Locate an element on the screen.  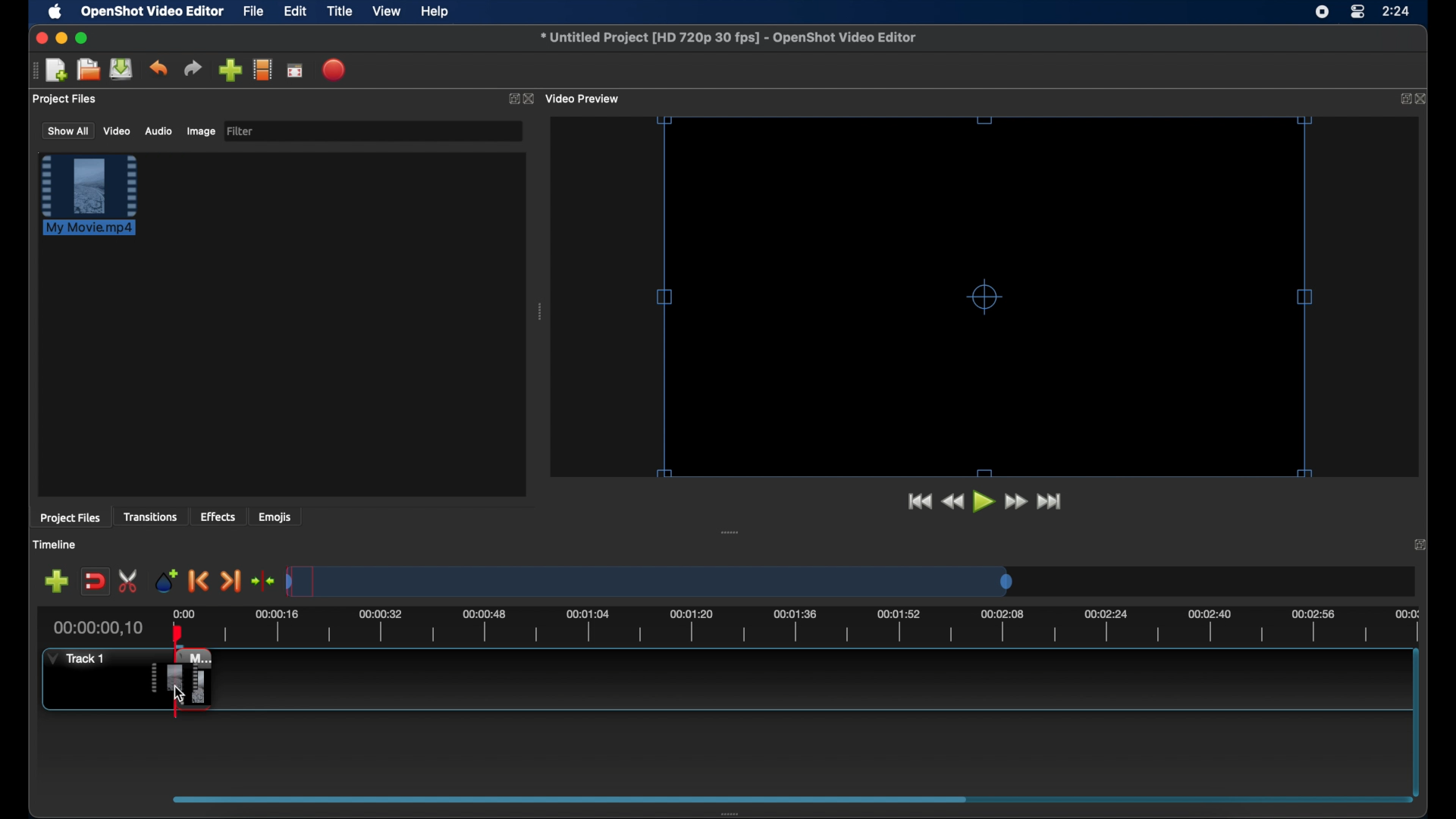
center playhead on the timeline is located at coordinates (264, 580).